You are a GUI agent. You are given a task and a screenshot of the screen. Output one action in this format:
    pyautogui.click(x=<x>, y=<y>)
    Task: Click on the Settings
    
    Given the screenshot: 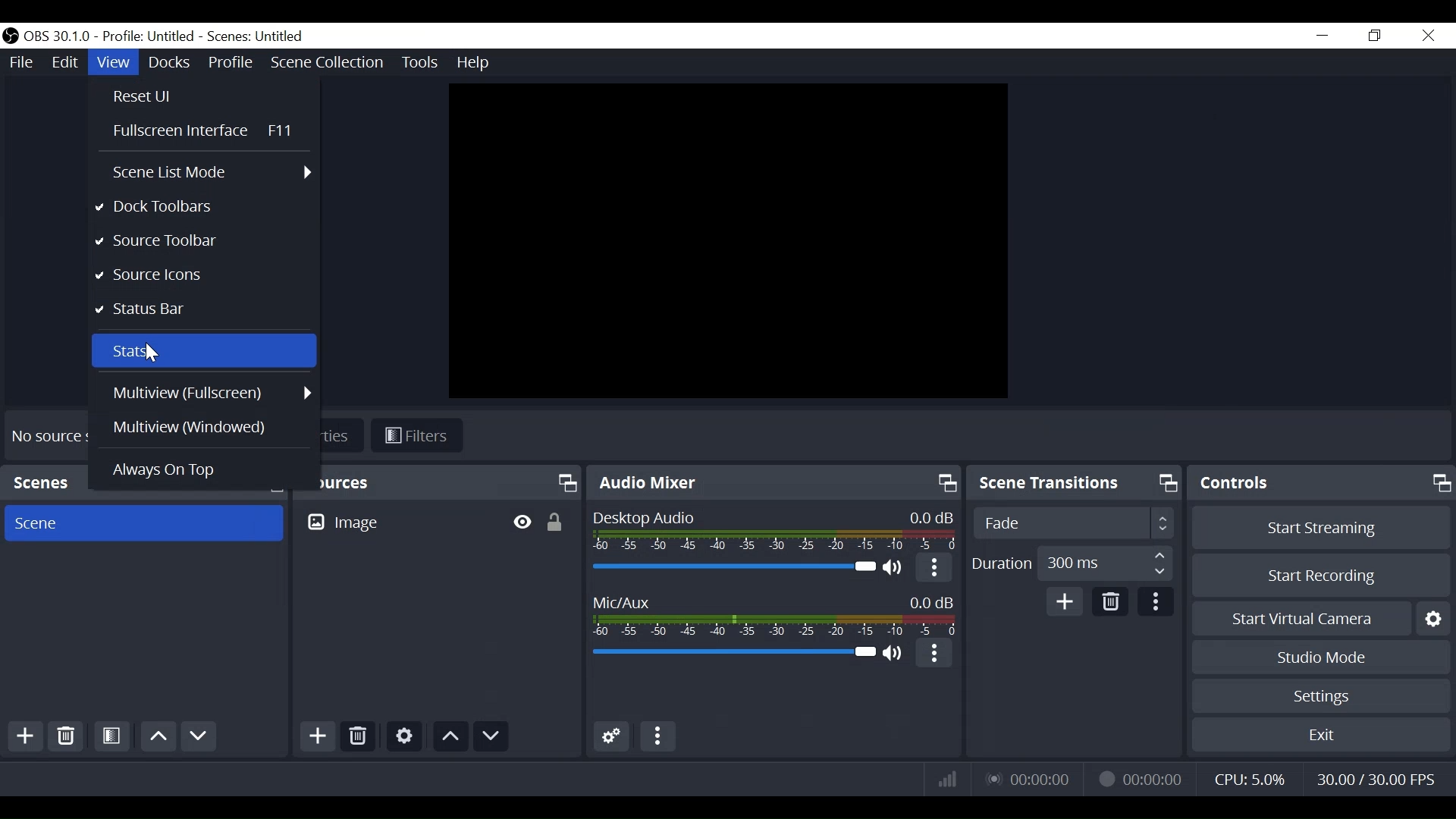 What is the action you would take?
    pyautogui.click(x=1321, y=695)
    